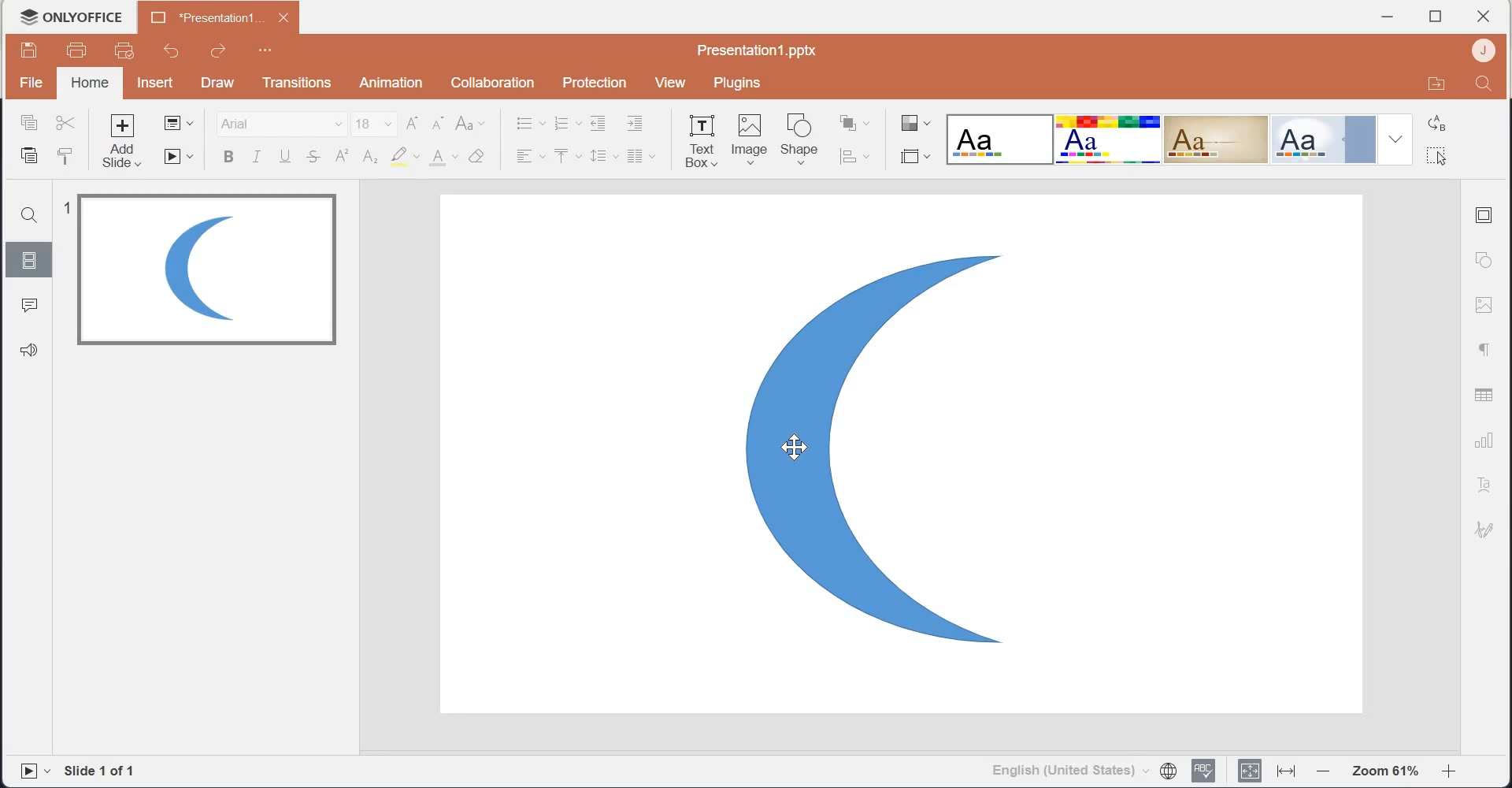  I want to click on File, so click(33, 81).